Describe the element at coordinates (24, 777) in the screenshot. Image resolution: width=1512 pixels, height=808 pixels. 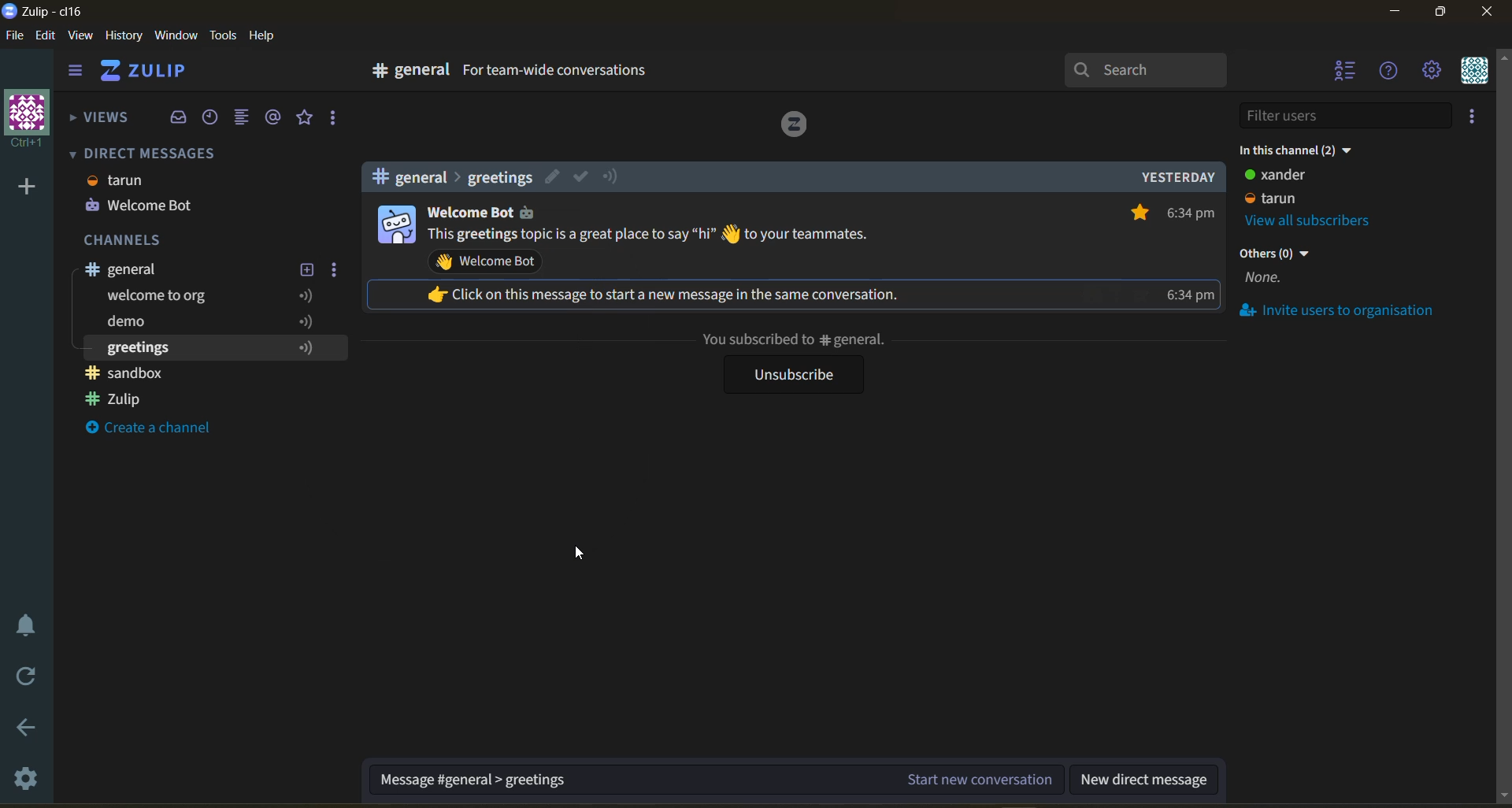
I see `settings` at that location.